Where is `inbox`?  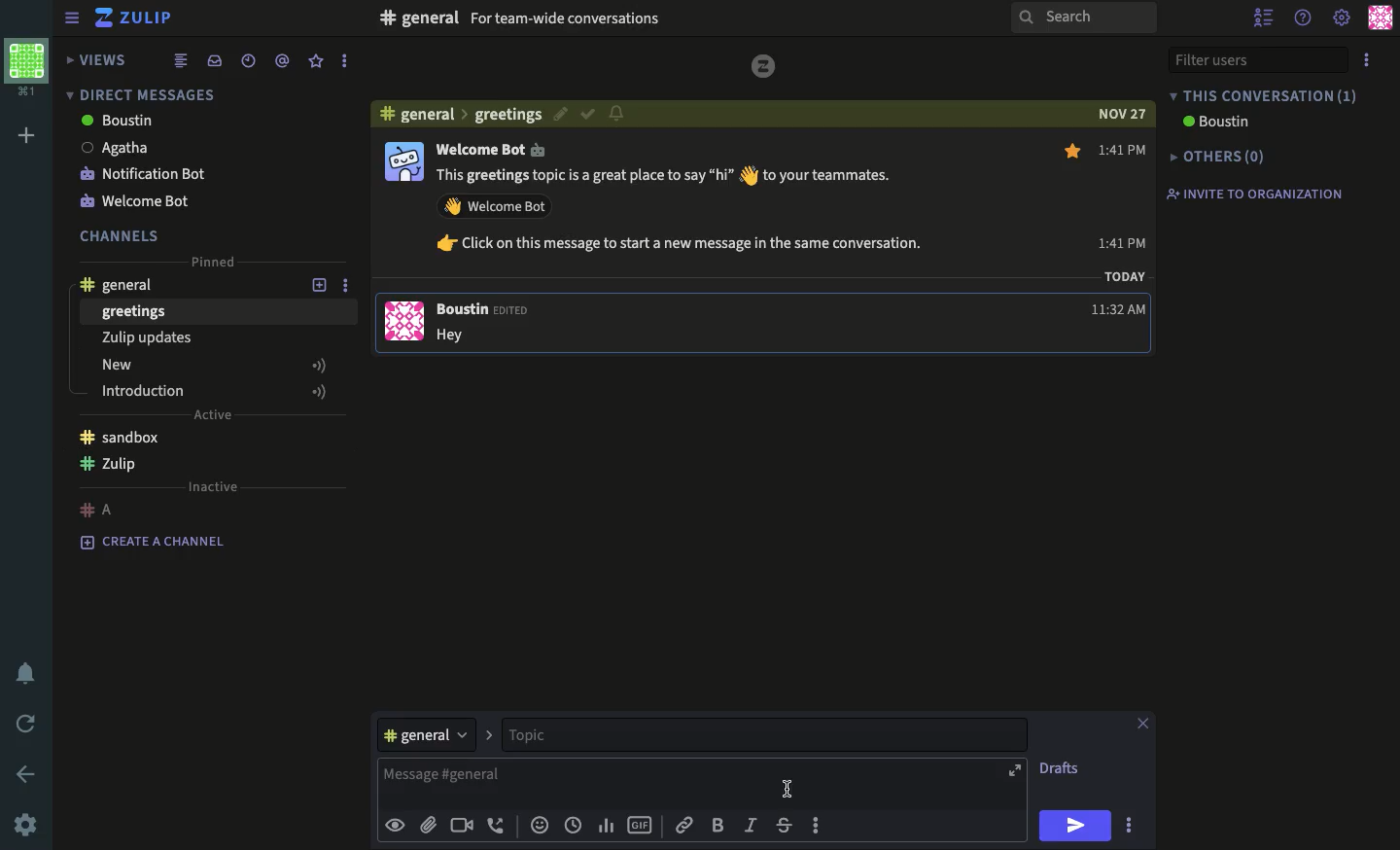 inbox is located at coordinates (213, 61).